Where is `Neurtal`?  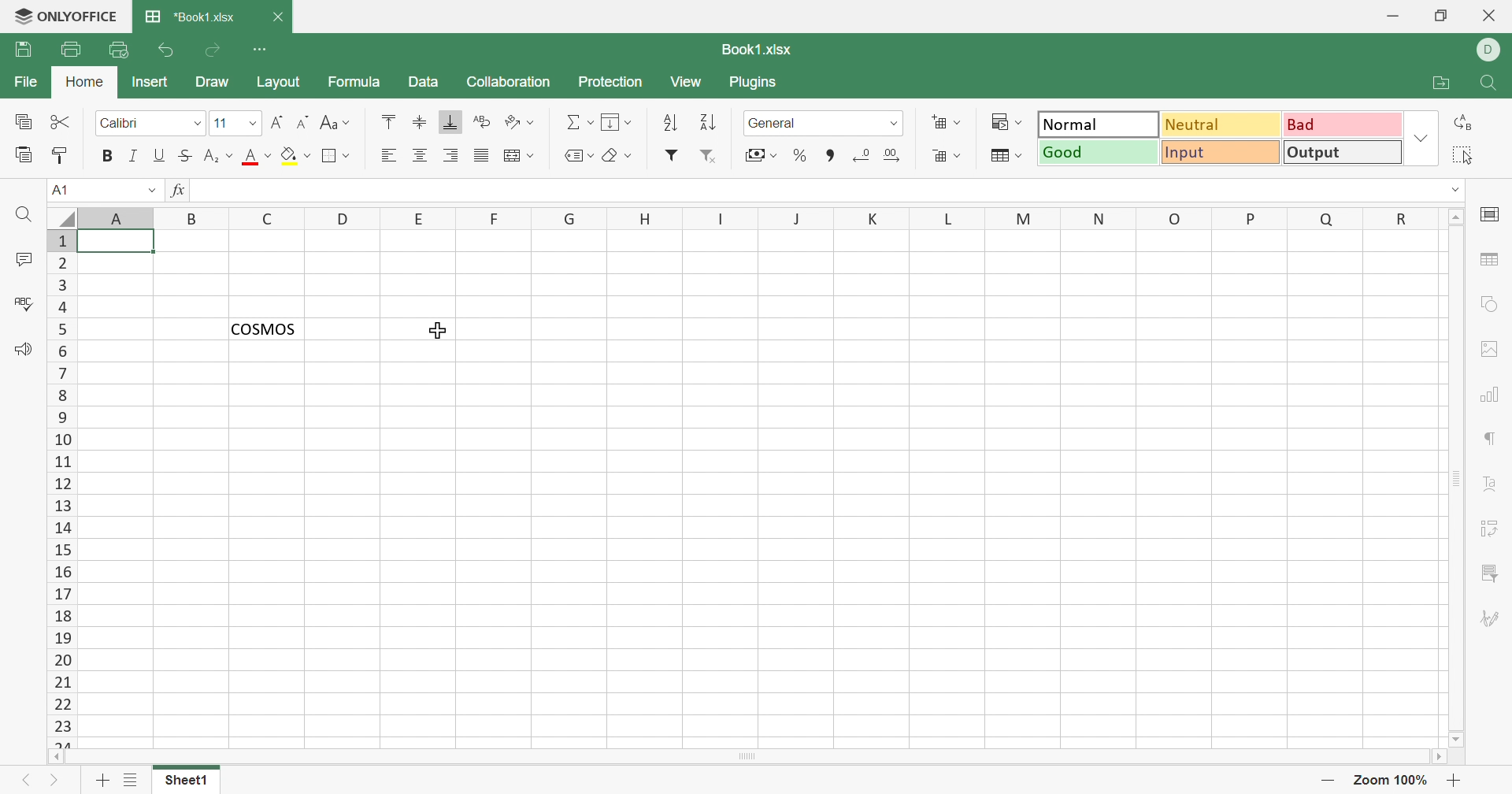
Neurtal is located at coordinates (1222, 126).